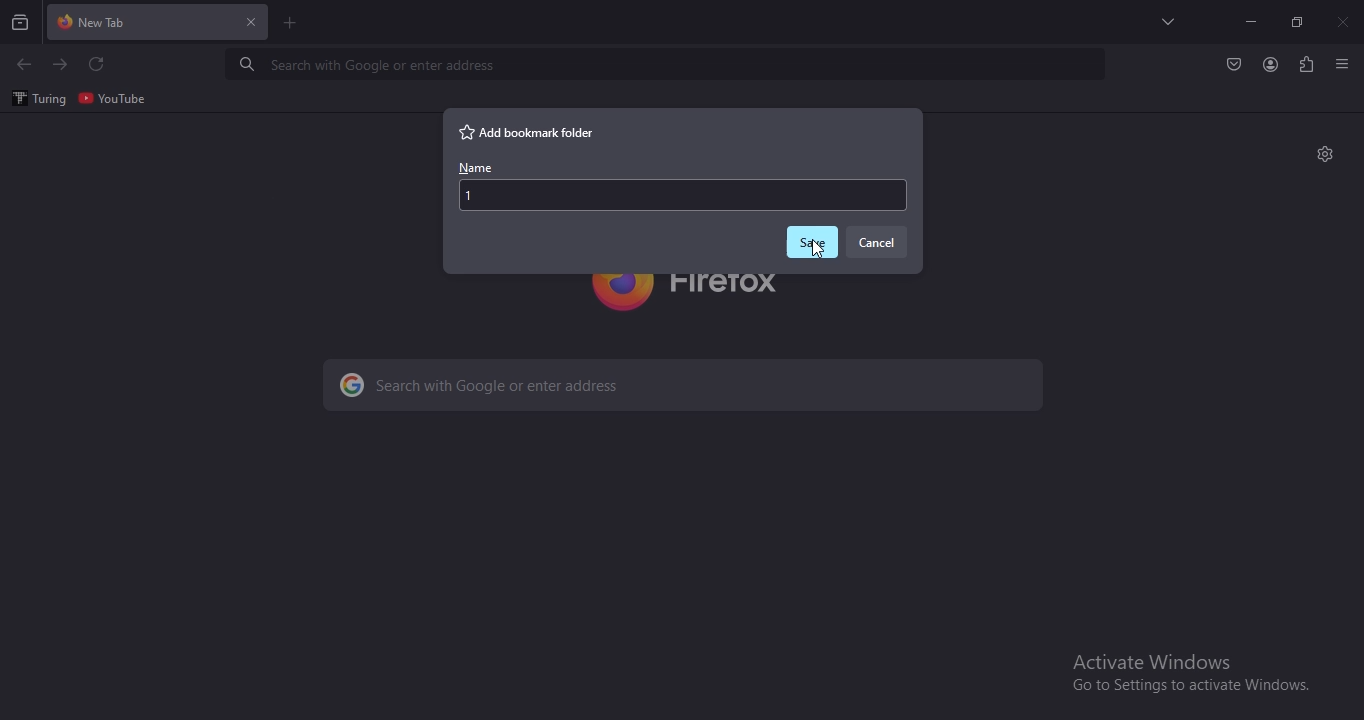  I want to click on 1, so click(470, 195).